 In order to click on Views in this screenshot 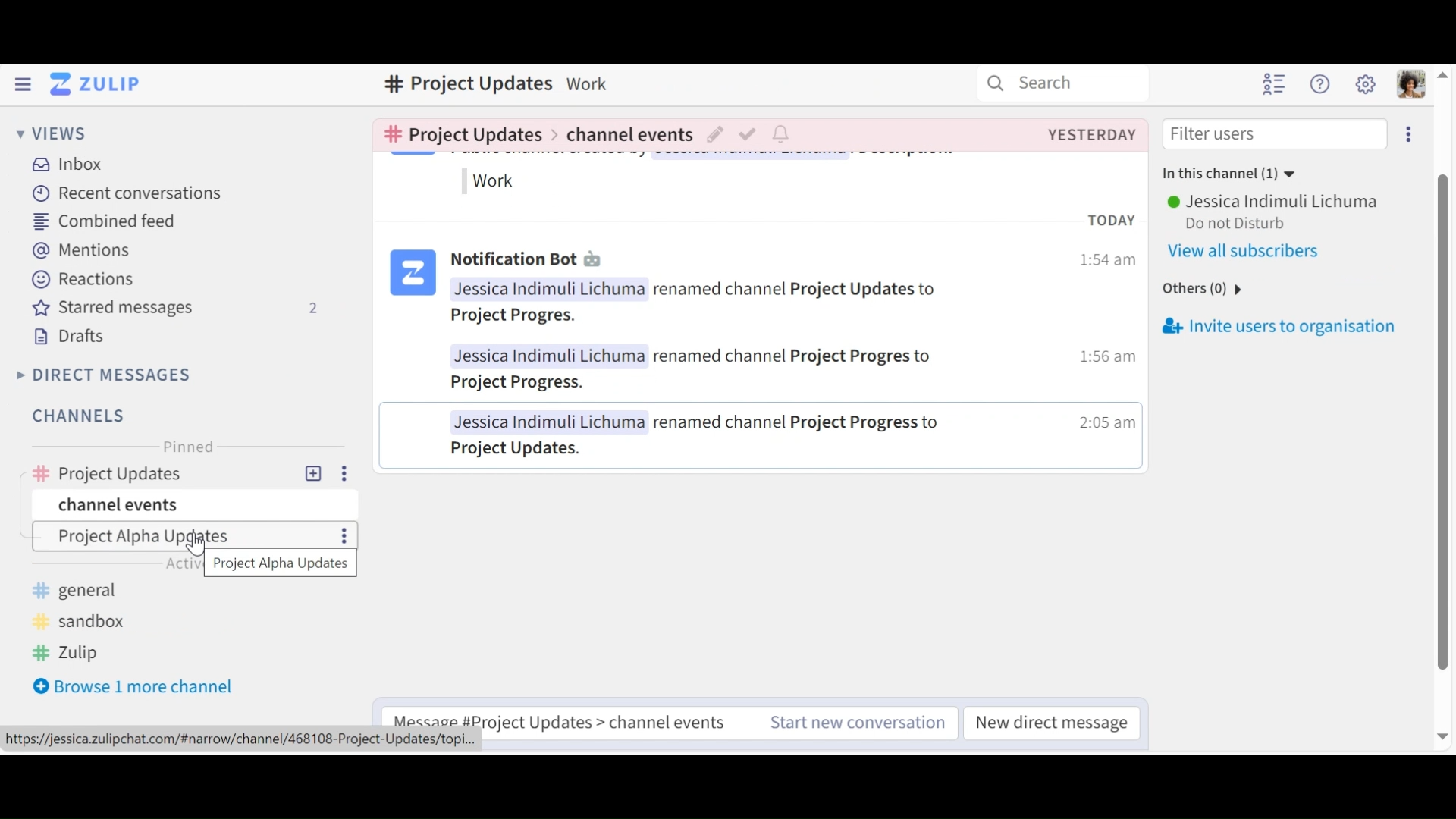, I will do `click(52, 134)`.